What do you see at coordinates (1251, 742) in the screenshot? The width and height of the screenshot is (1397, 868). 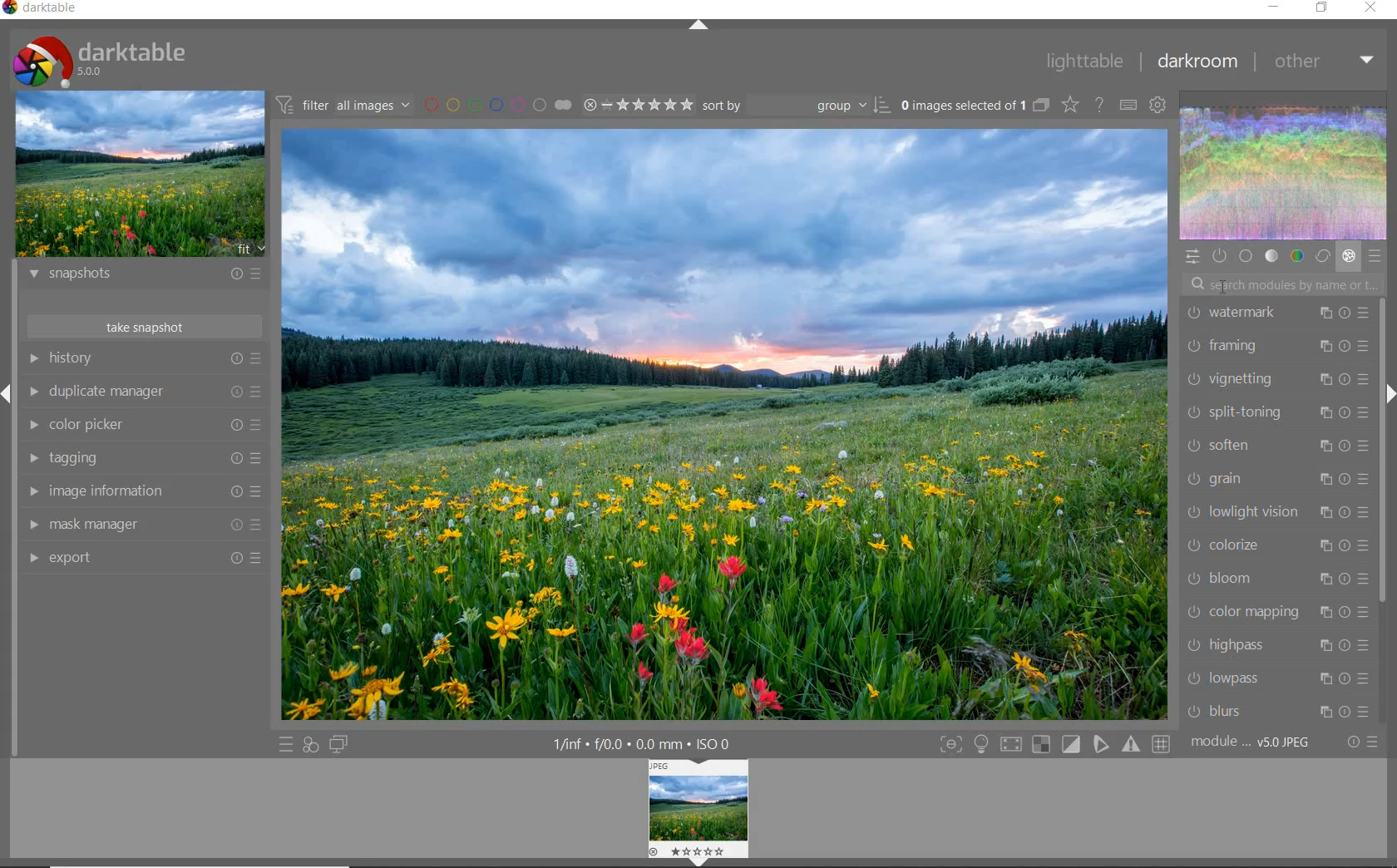 I see `module` at bounding box center [1251, 742].